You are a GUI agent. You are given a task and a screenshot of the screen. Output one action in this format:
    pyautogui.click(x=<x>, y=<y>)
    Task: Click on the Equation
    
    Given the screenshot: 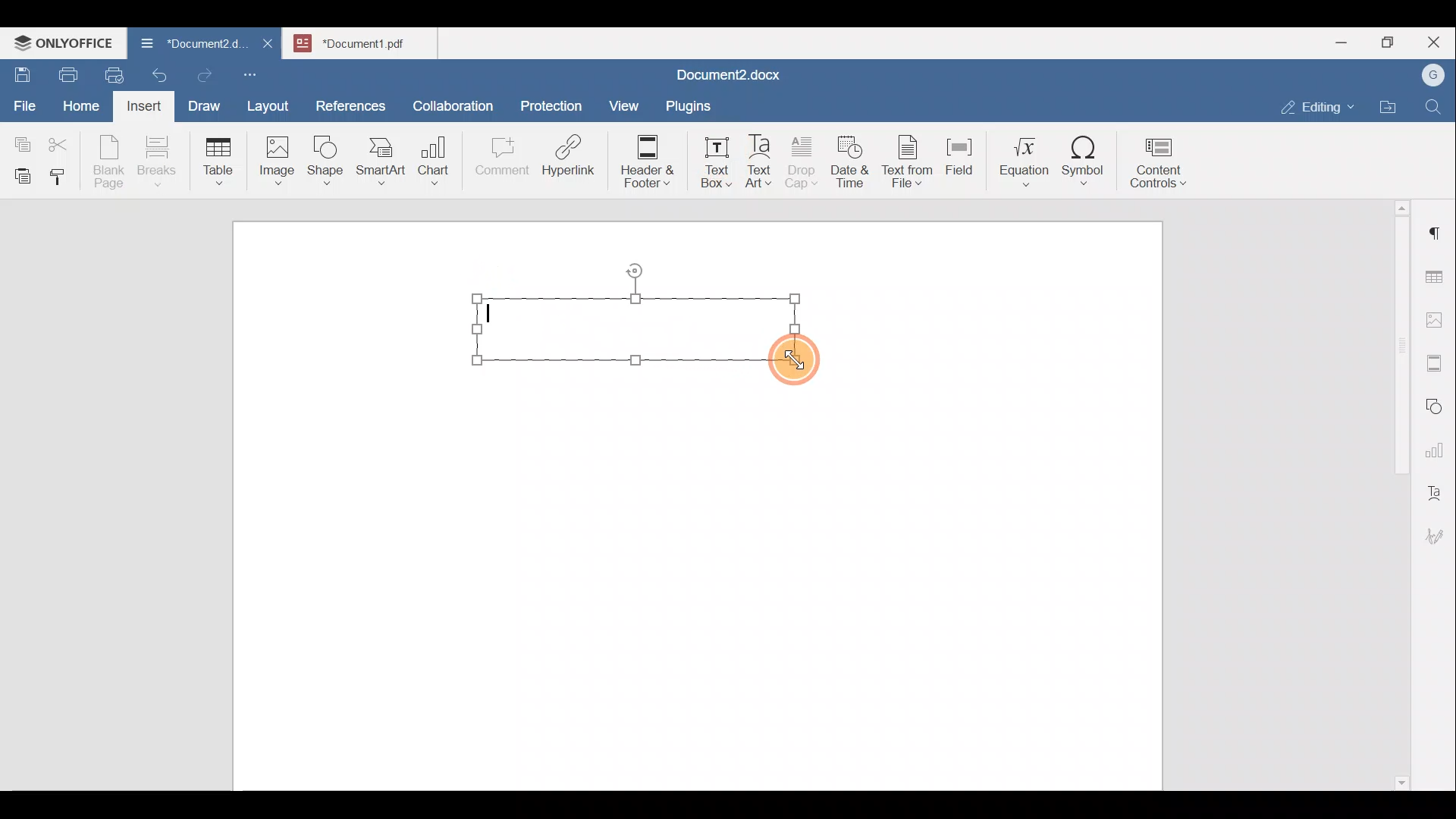 What is the action you would take?
    pyautogui.click(x=1028, y=161)
    